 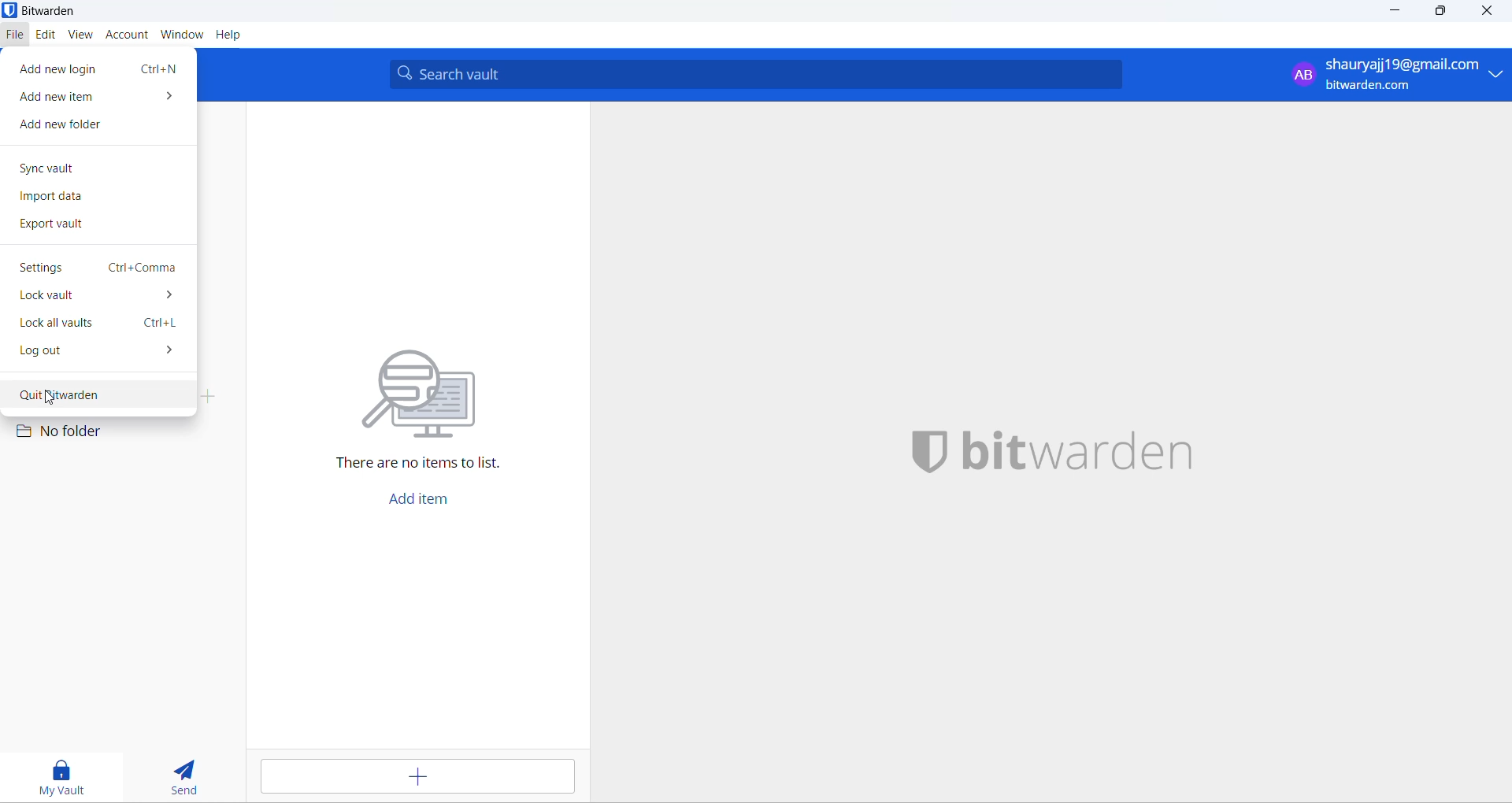 What do you see at coordinates (1078, 455) in the screenshot?
I see `application name` at bounding box center [1078, 455].